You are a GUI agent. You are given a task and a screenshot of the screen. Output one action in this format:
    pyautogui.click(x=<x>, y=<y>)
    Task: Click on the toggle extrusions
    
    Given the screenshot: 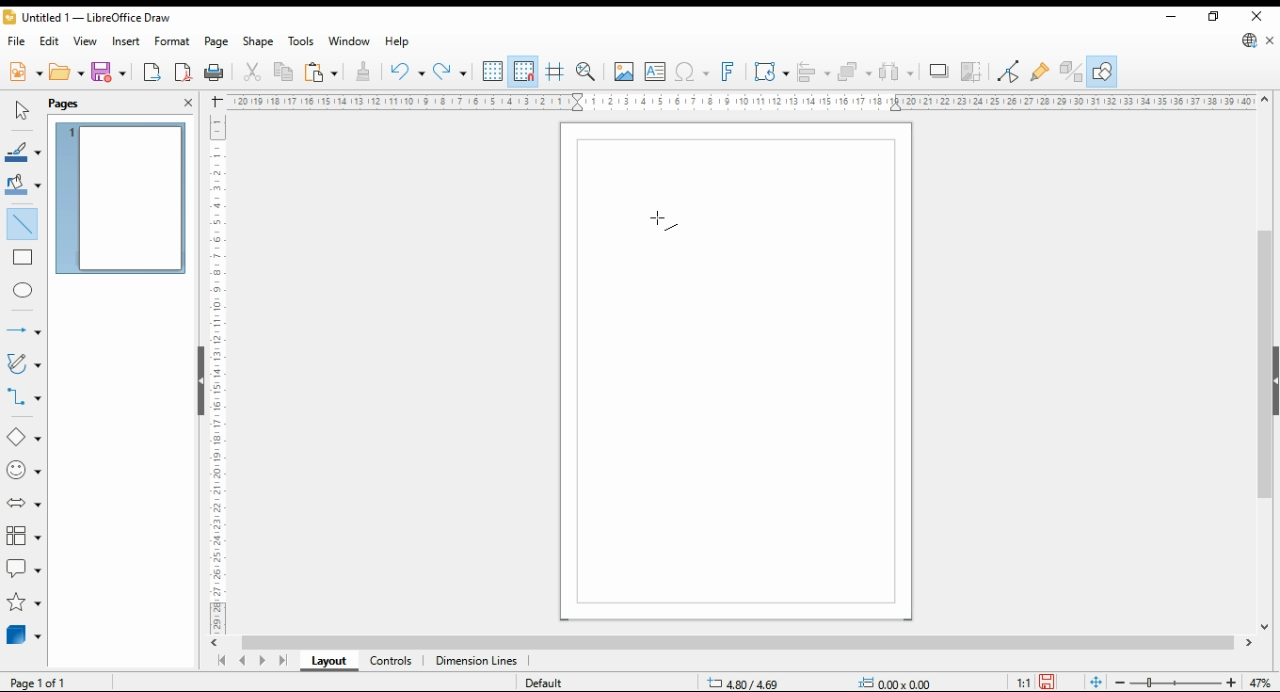 What is the action you would take?
    pyautogui.click(x=1071, y=72)
    